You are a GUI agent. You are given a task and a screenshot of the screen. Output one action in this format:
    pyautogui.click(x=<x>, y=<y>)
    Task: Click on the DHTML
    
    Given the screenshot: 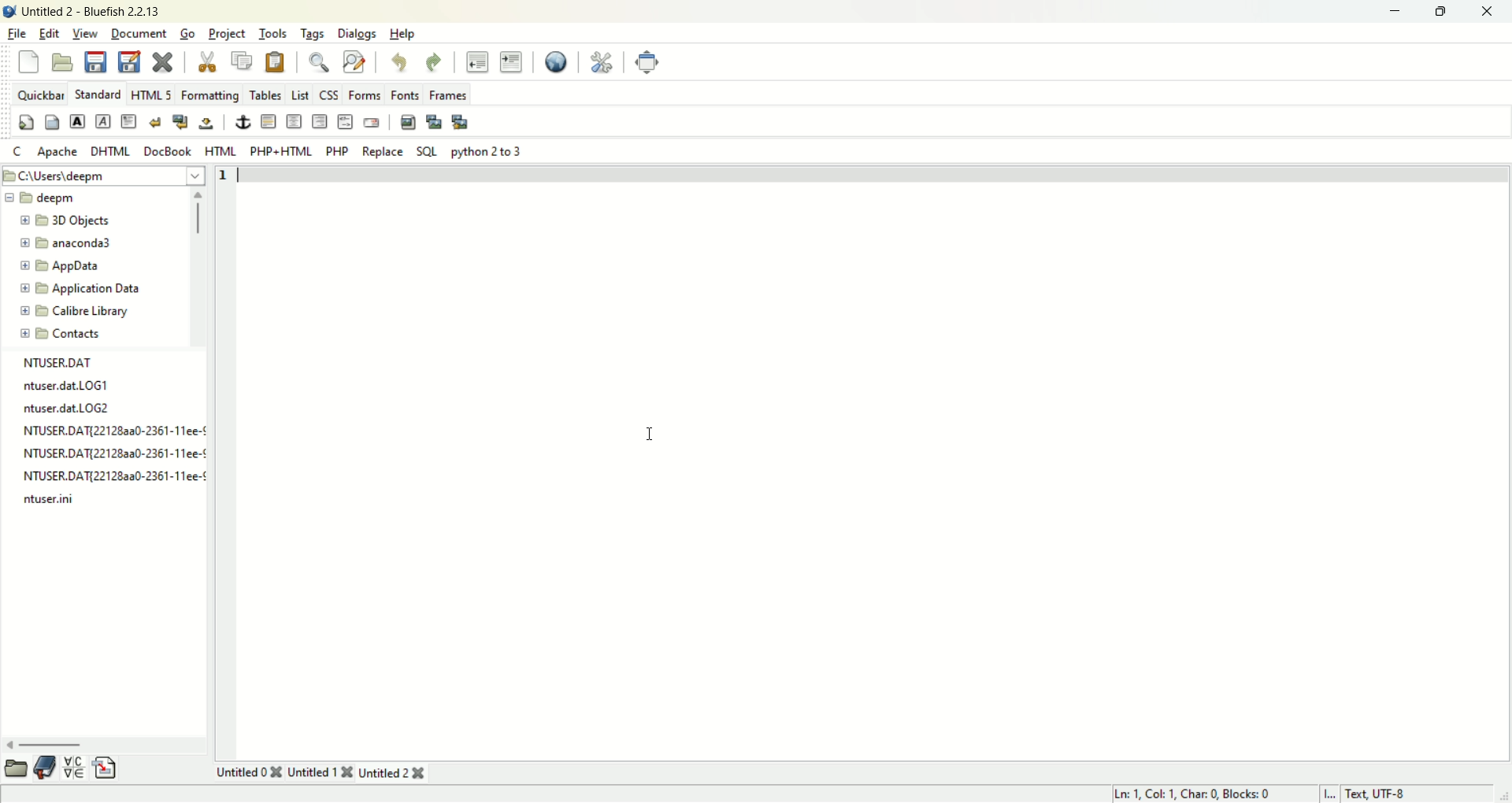 What is the action you would take?
    pyautogui.click(x=111, y=151)
    